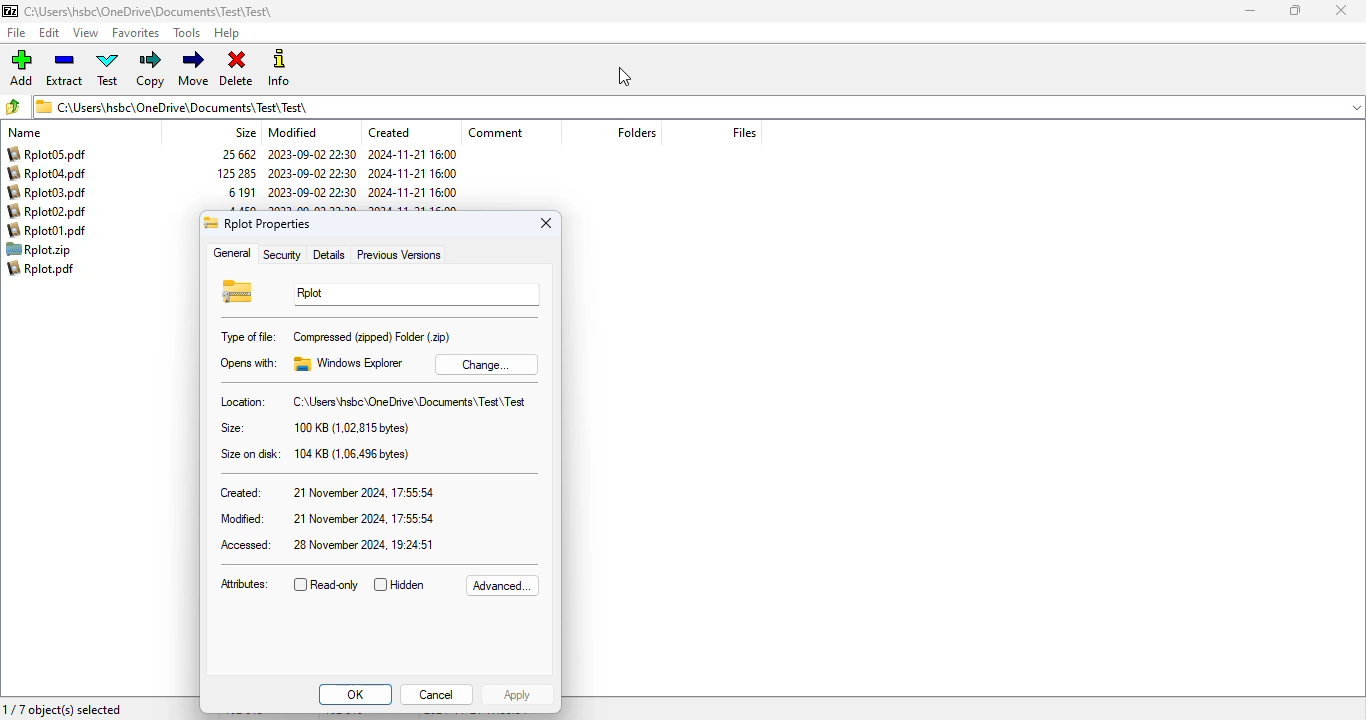  I want to click on 21 november 2024, 17:55:54, so click(362, 519).